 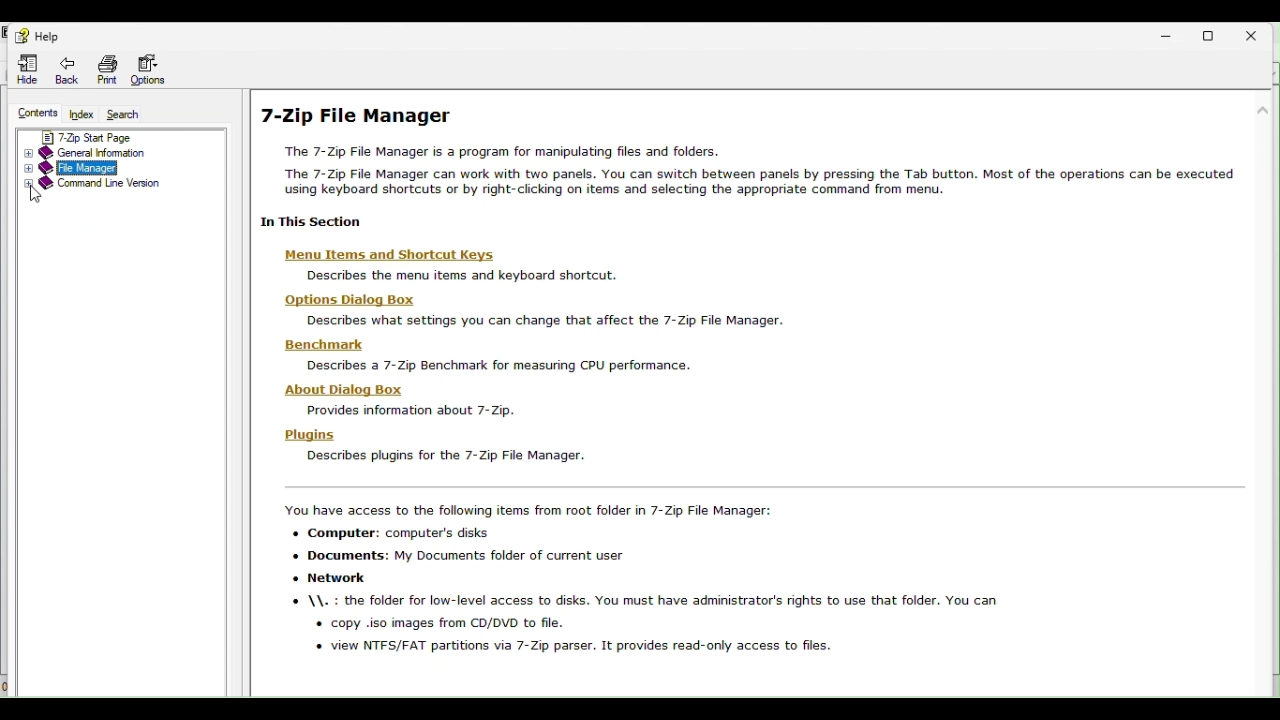 What do you see at coordinates (69, 68) in the screenshot?
I see `Back ` at bounding box center [69, 68].